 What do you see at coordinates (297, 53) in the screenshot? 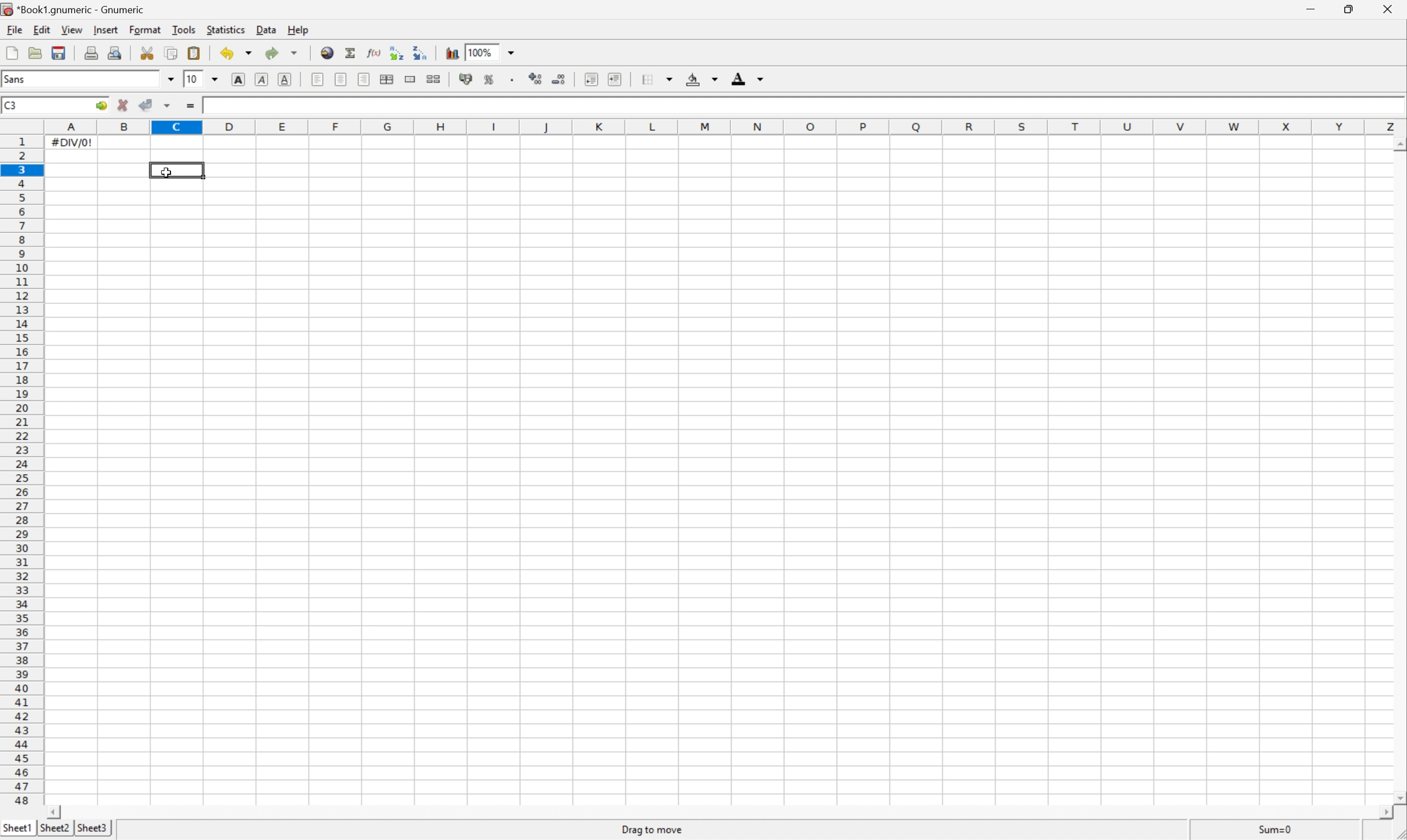
I see `Drop down` at bounding box center [297, 53].